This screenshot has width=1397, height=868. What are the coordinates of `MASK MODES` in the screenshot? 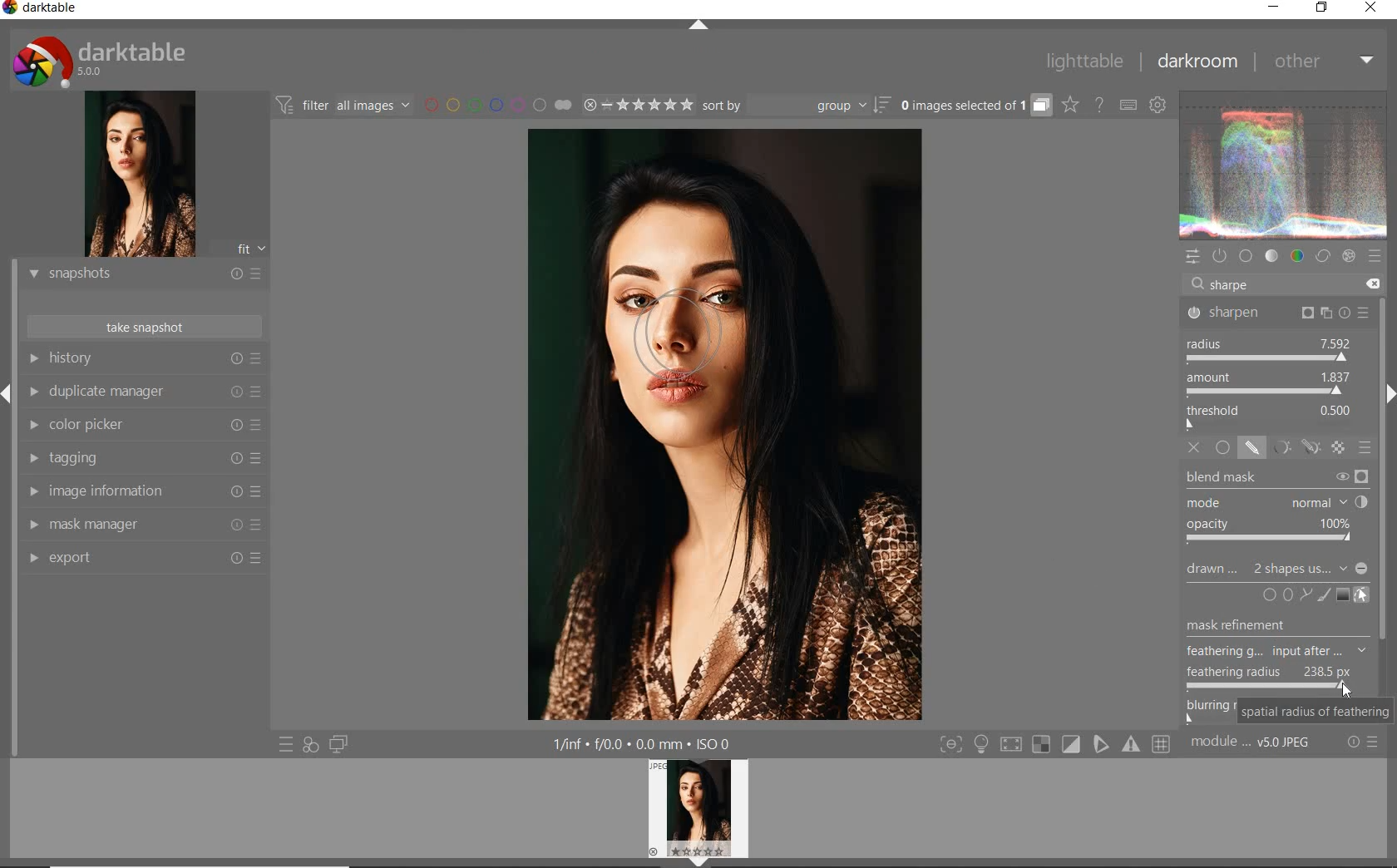 It's located at (1292, 447).